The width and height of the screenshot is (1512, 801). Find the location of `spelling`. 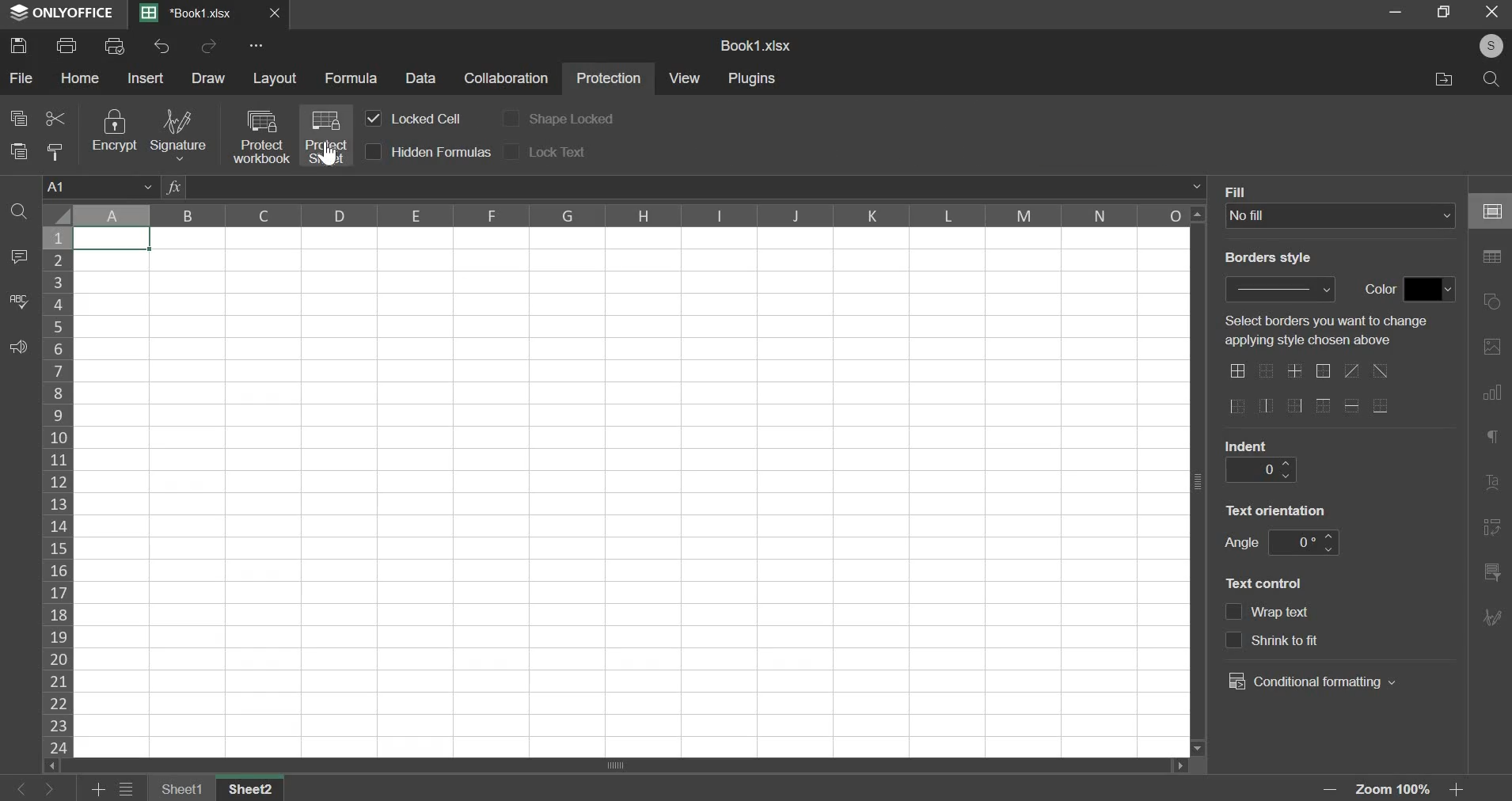

spelling is located at coordinates (19, 301).